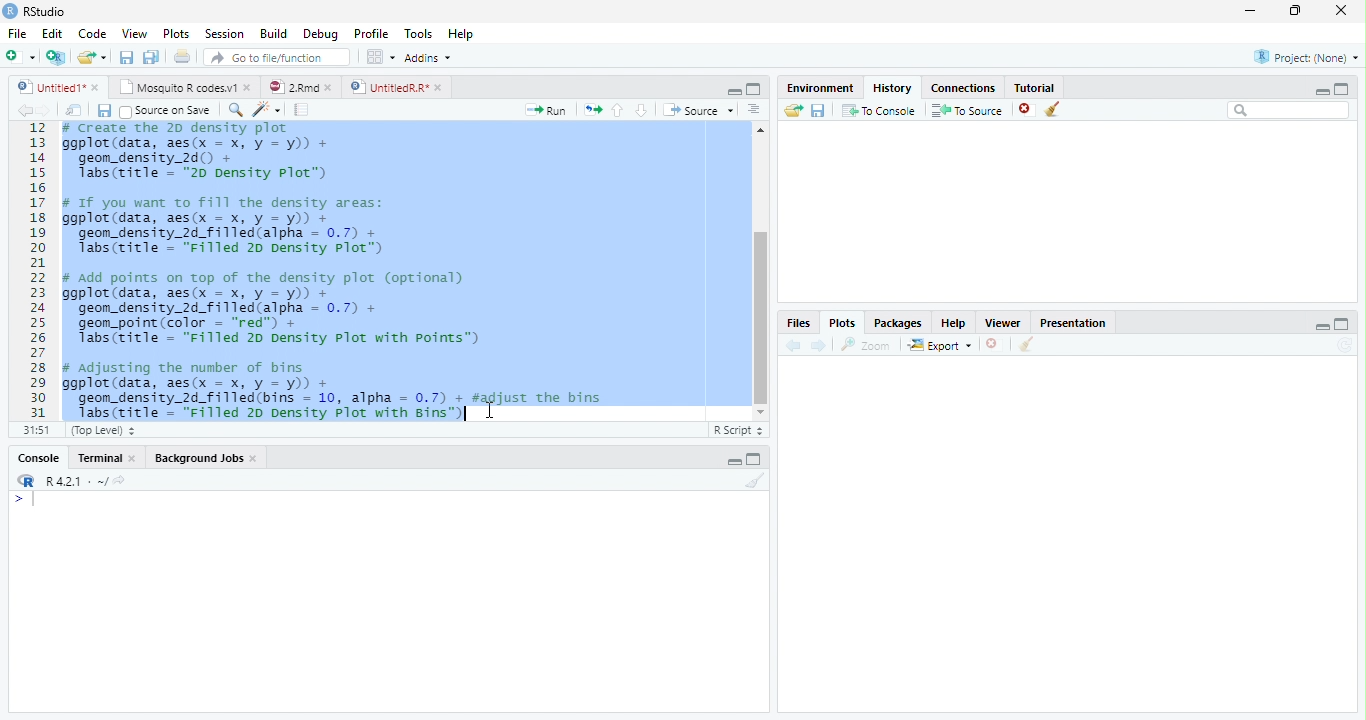  What do you see at coordinates (1348, 345) in the screenshot?
I see `Refresh` at bounding box center [1348, 345].